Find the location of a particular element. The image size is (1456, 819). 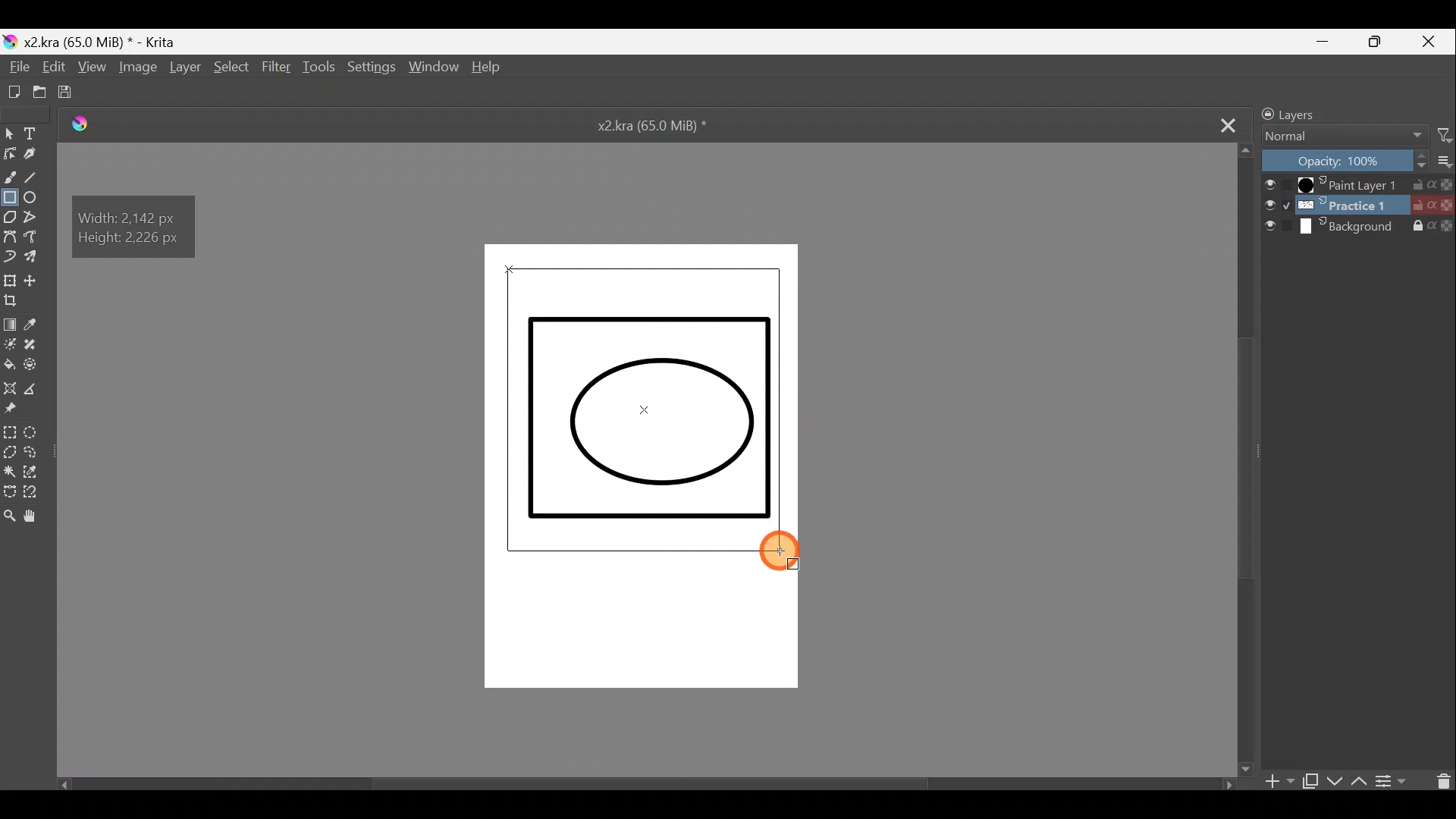

Polyline tool is located at coordinates (35, 220).